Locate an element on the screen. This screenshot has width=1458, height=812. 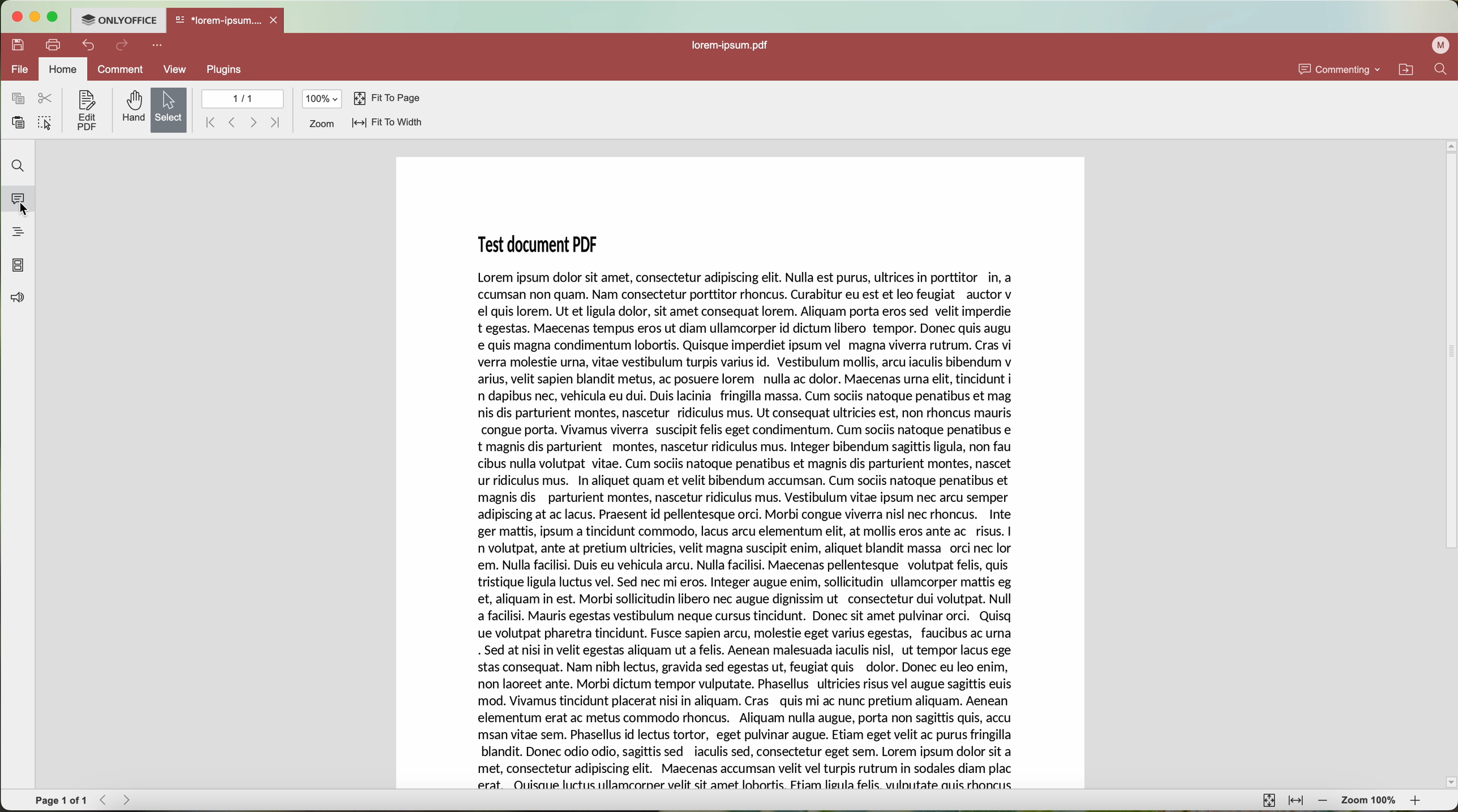
zoom is located at coordinates (321, 124).